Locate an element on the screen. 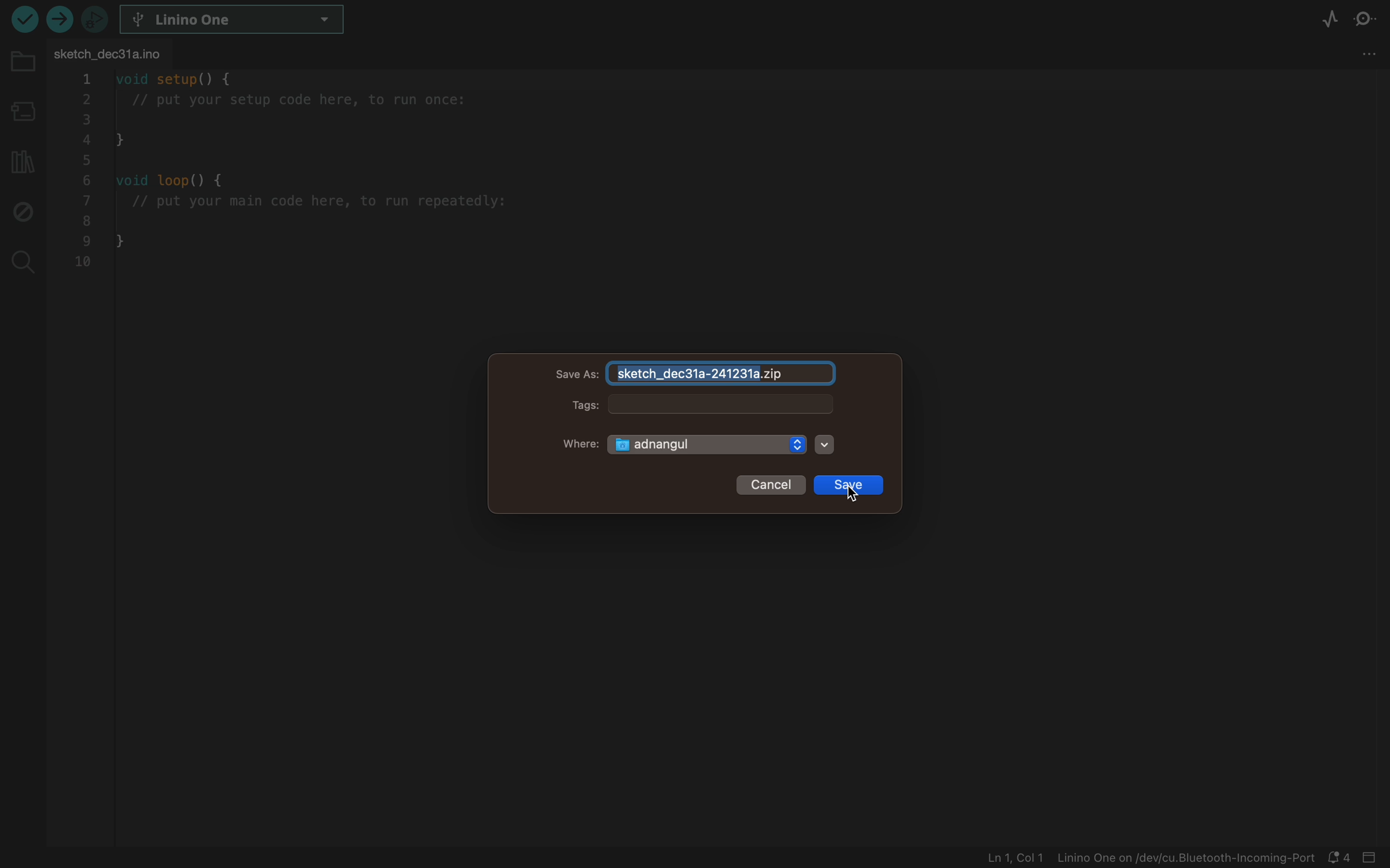 The width and height of the screenshot is (1390, 868). board manager is located at coordinates (21, 107).